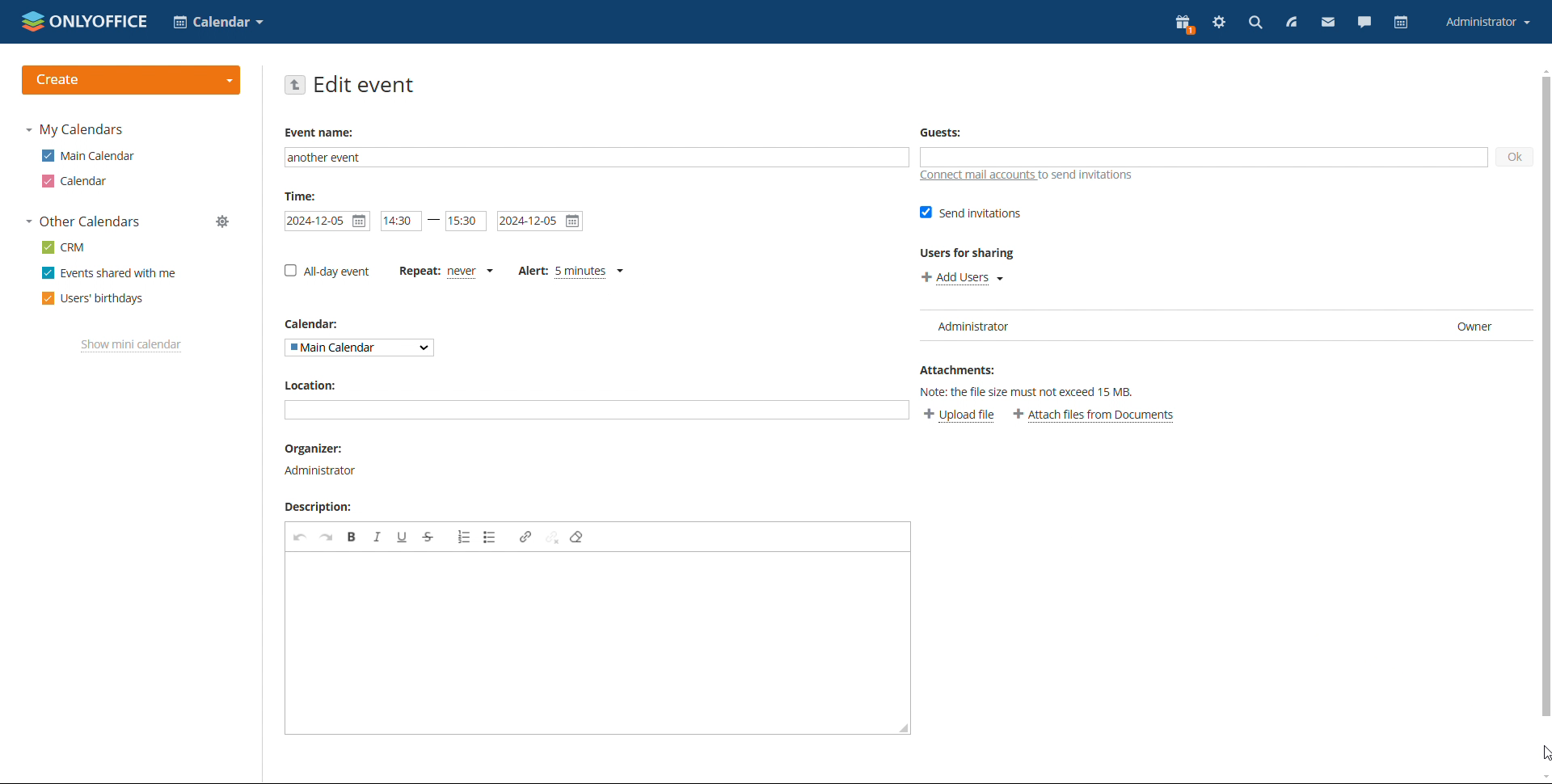  I want to click on add users, so click(962, 277).